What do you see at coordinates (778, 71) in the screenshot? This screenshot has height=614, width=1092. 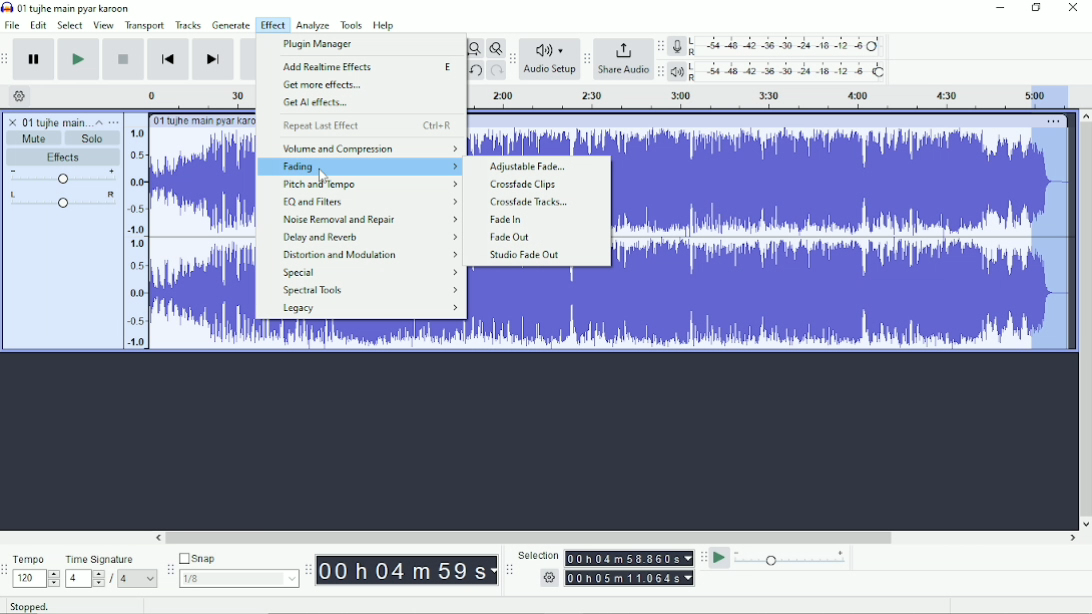 I see `Playback meter` at bounding box center [778, 71].